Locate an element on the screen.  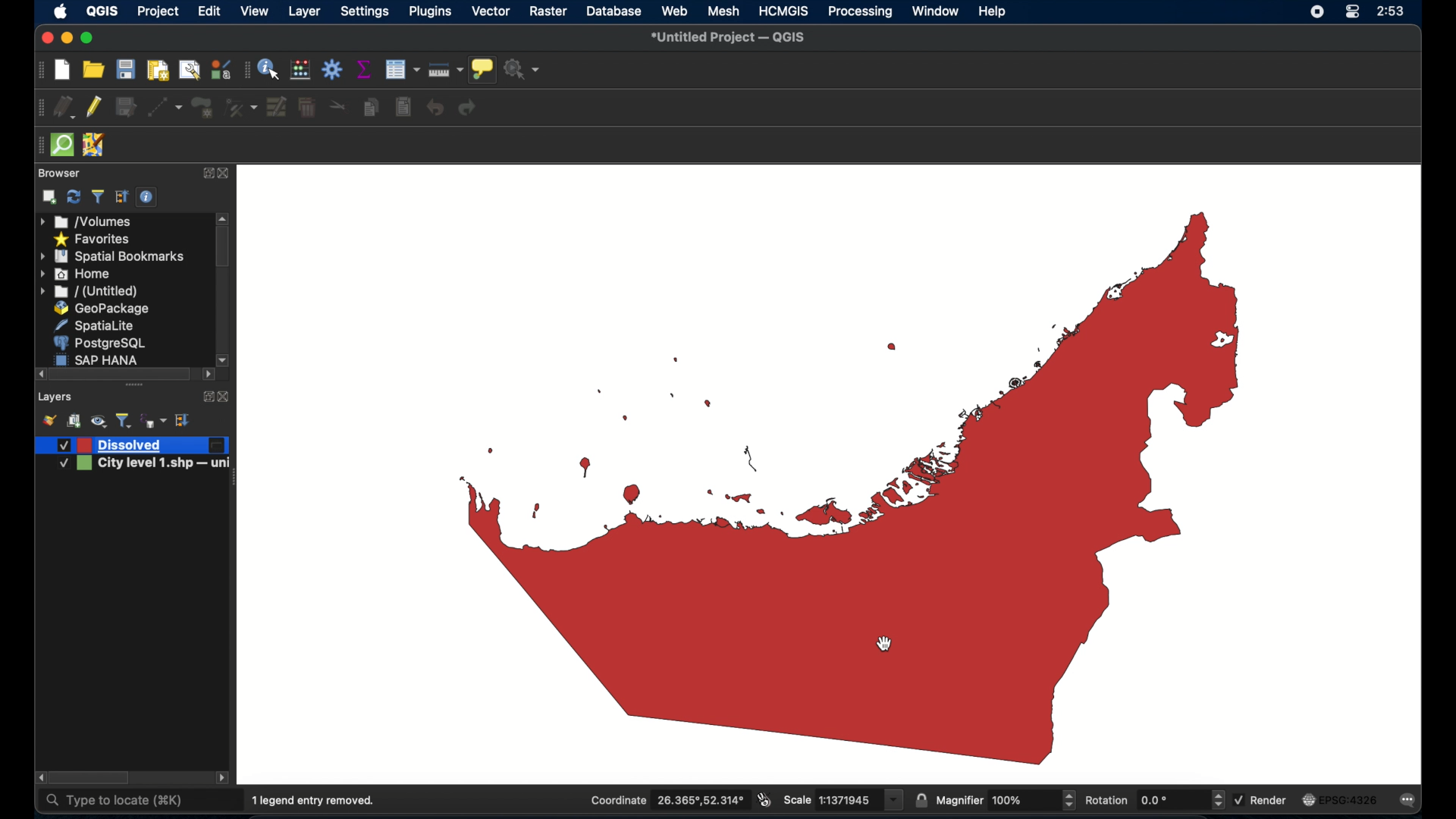
city level 1.shp - uni is located at coordinates (139, 466).